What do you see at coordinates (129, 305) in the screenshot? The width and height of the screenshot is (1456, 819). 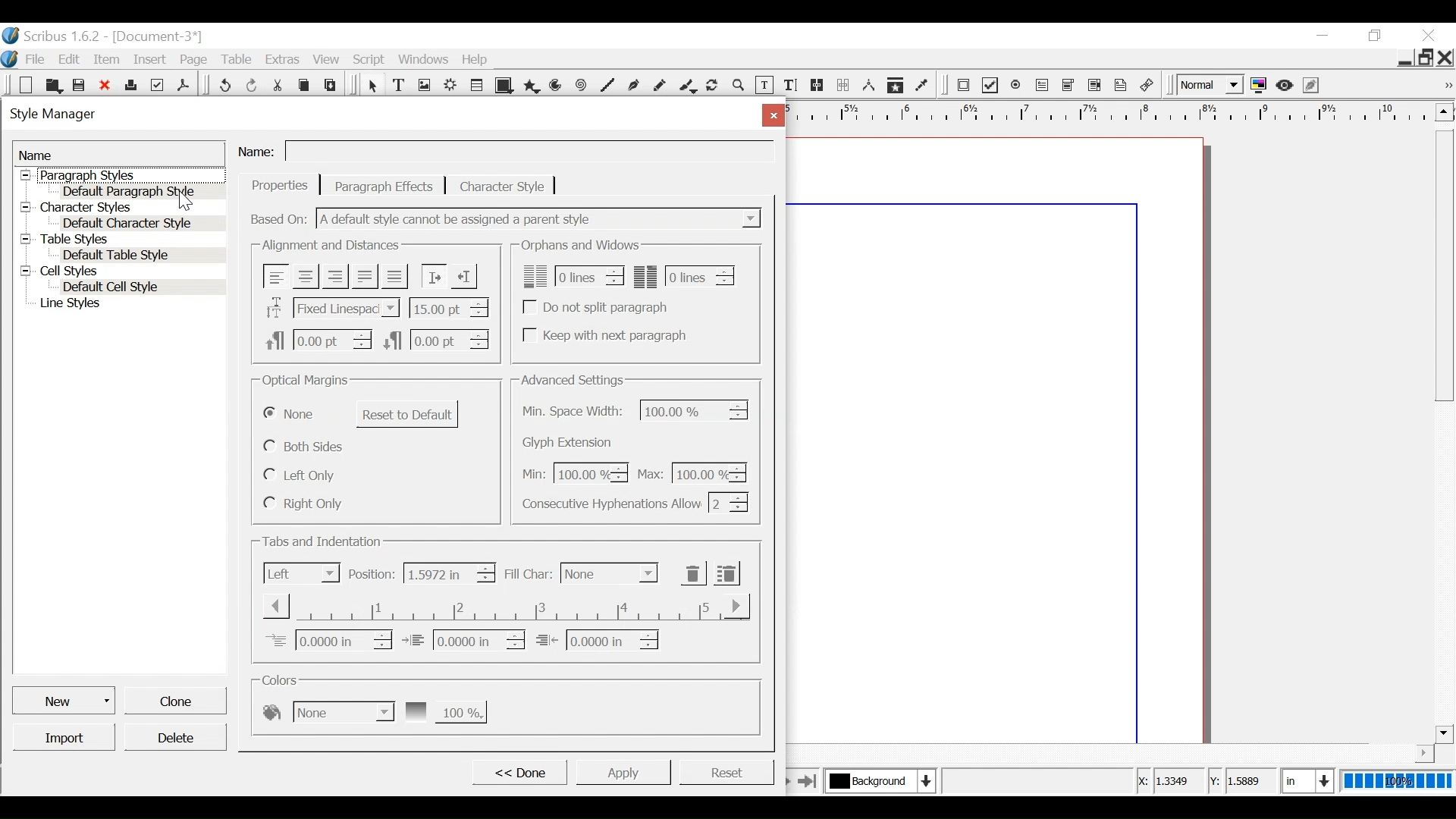 I see `line Styles` at bounding box center [129, 305].